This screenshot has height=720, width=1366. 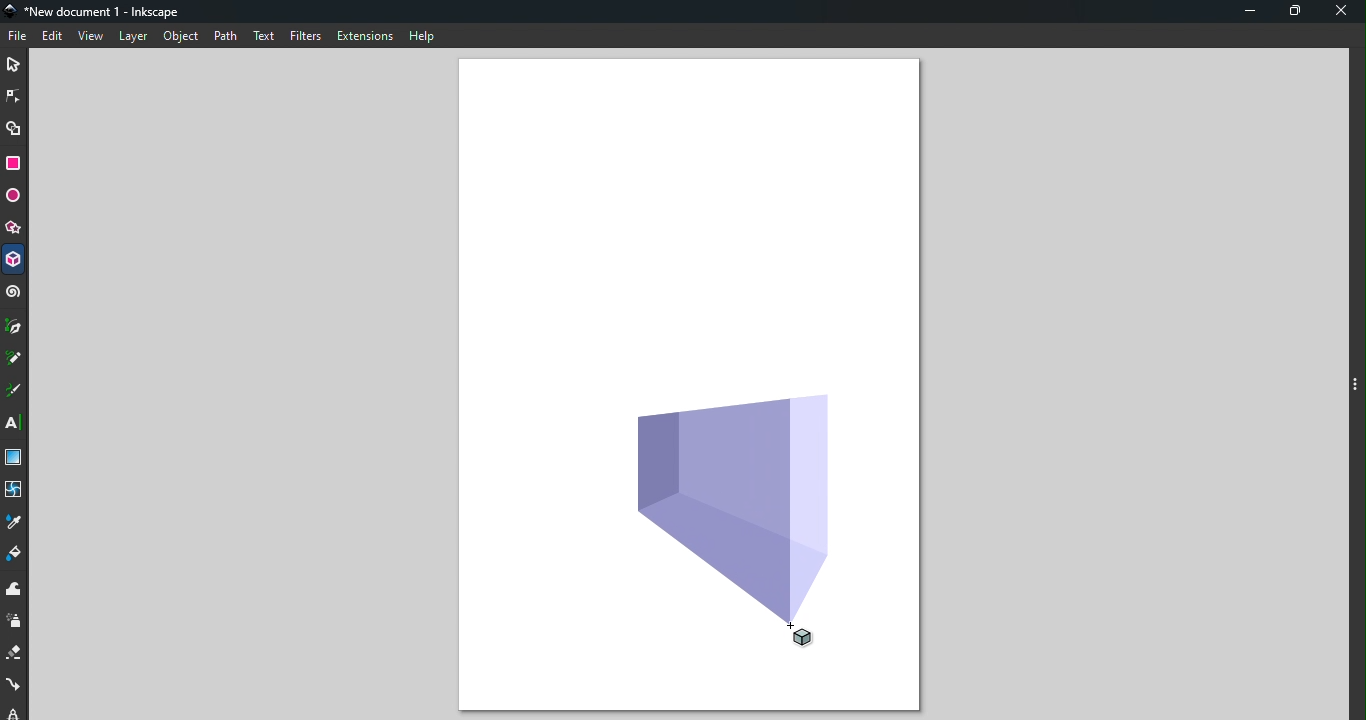 I want to click on Filters, so click(x=307, y=35).